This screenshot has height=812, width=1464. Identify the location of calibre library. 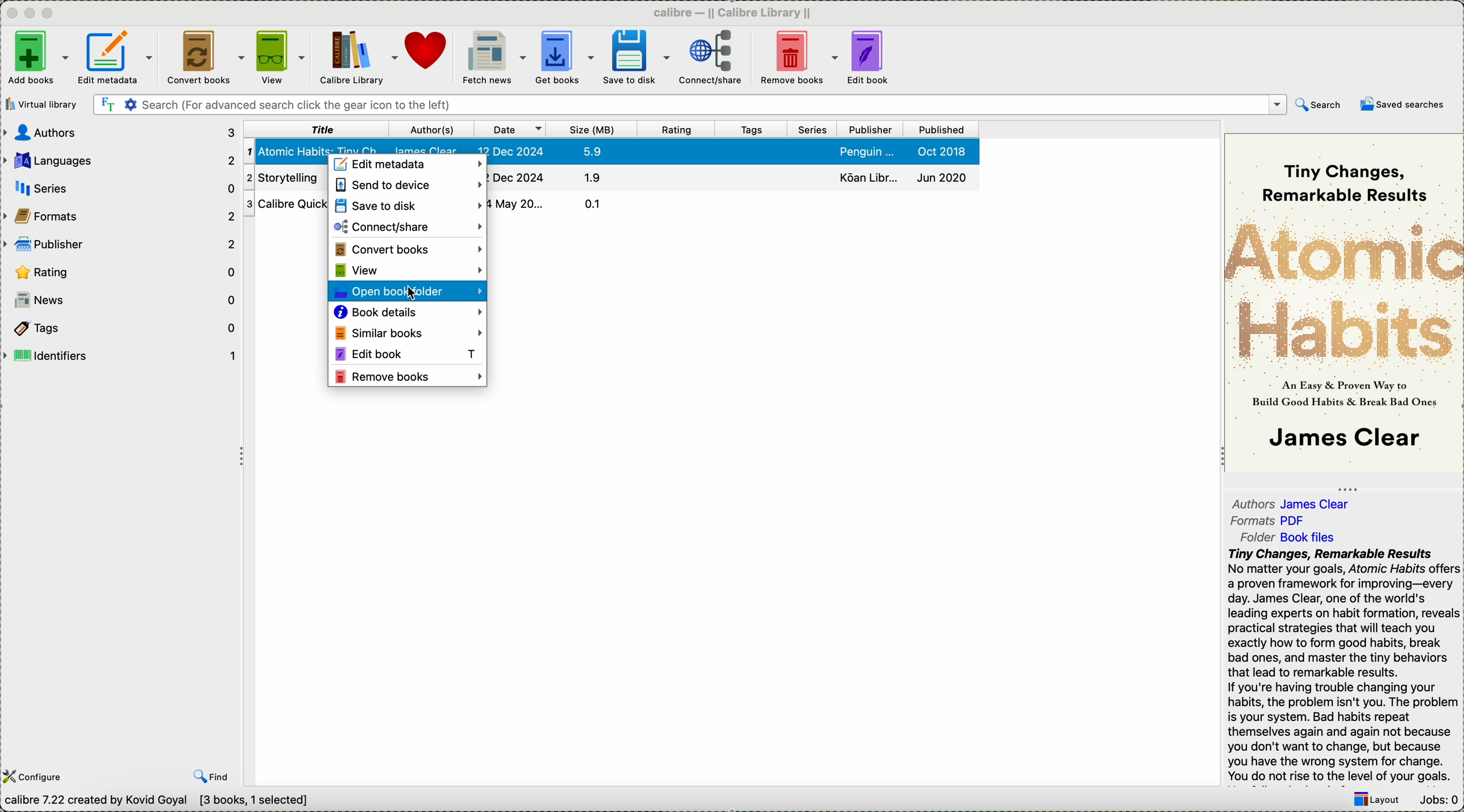
(359, 59).